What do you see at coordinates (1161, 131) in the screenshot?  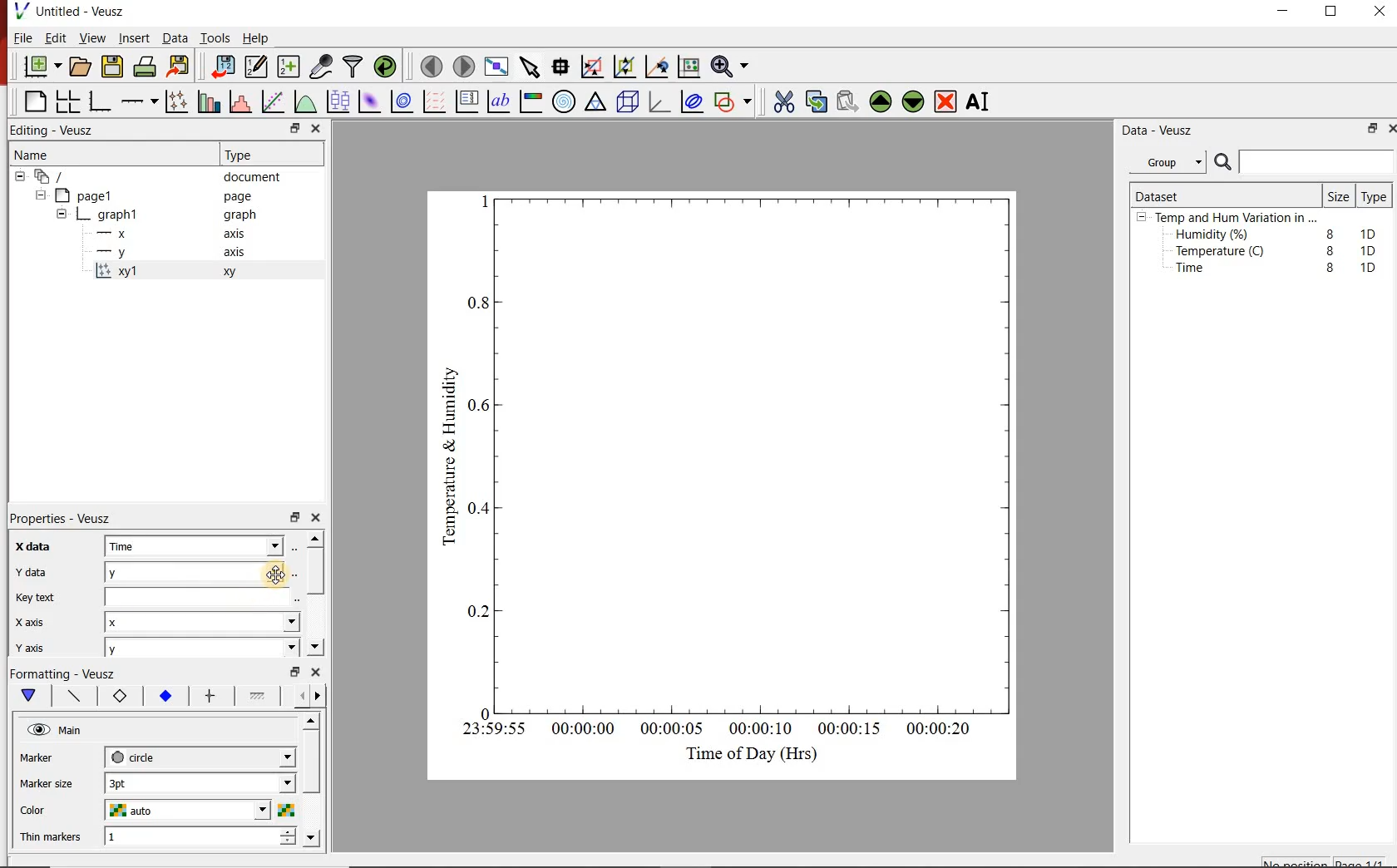 I see `Data - Veusz` at bounding box center [1161, 131].